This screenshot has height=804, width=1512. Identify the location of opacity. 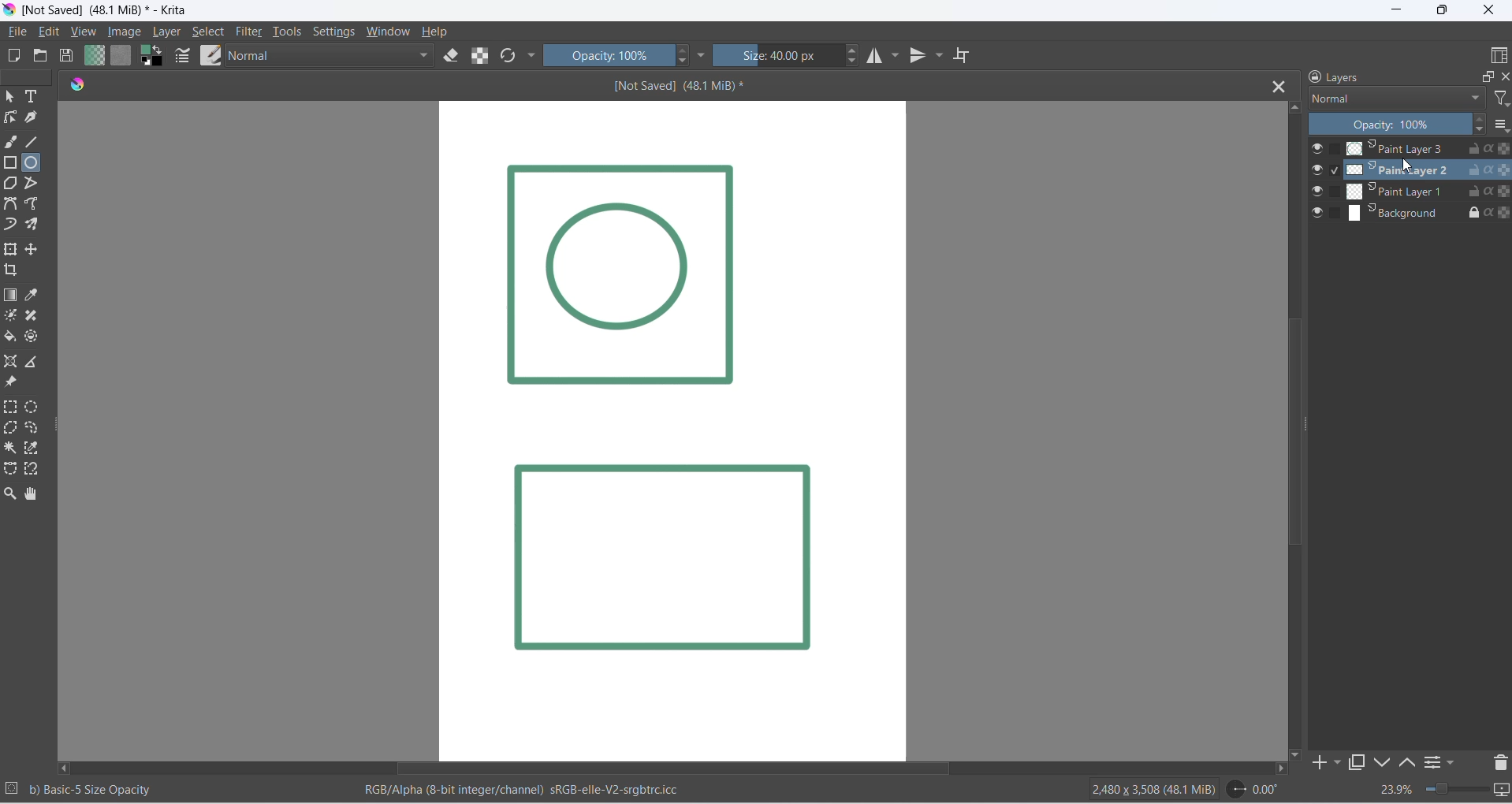
(1399, 124).